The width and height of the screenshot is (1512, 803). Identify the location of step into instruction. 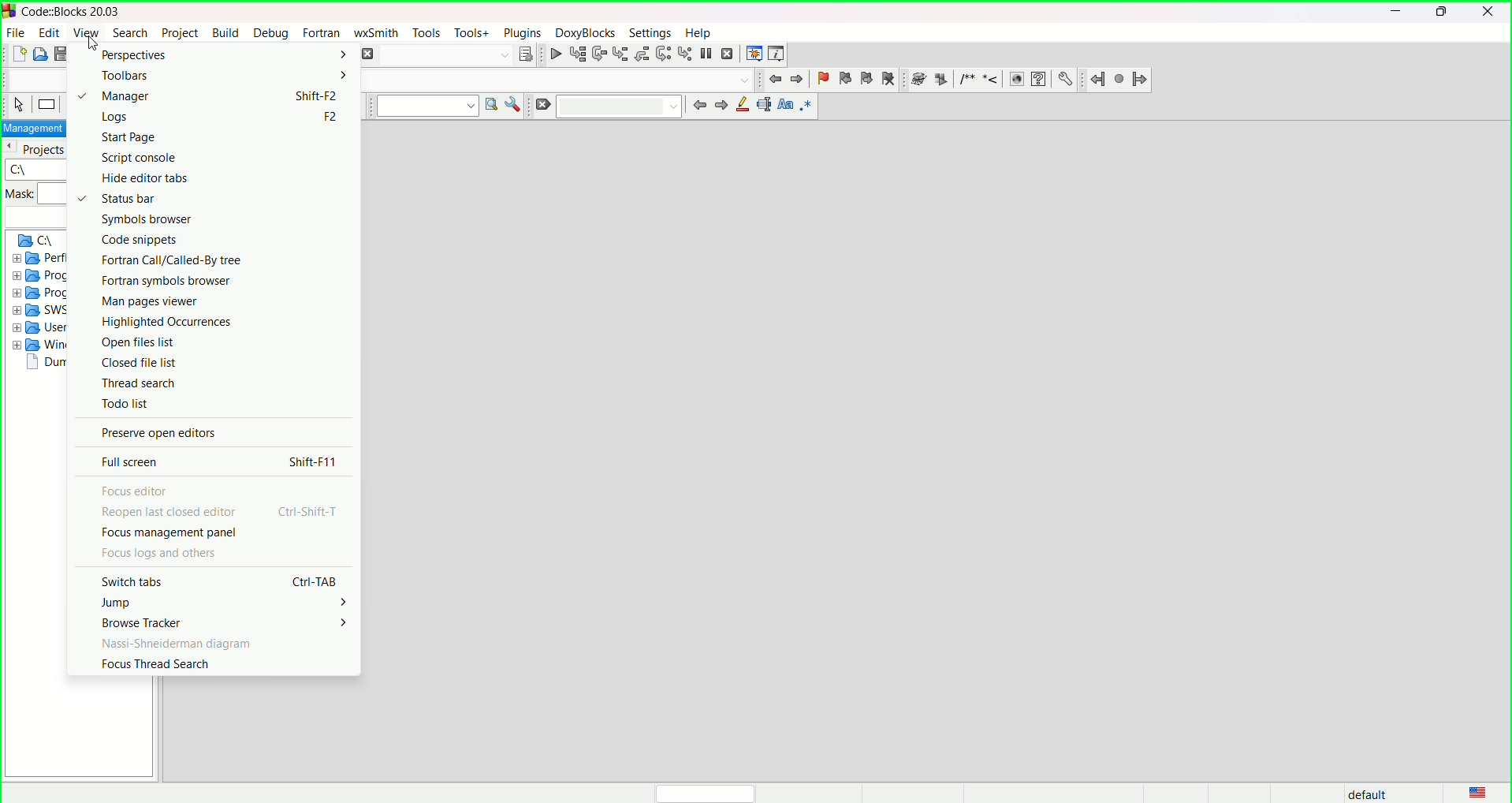
(685, 54).